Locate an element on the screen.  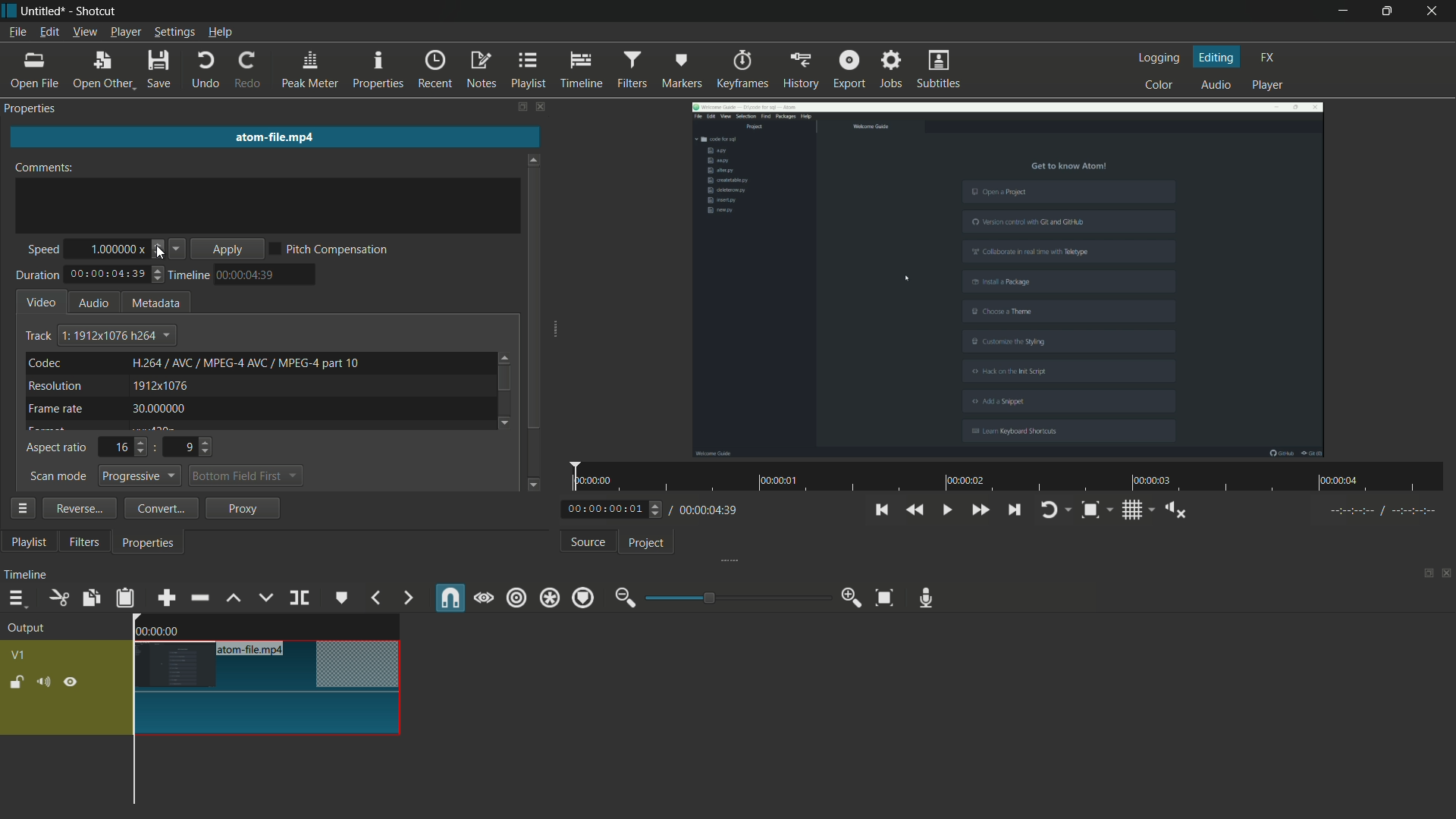
adjustment bar is located at coordinates (739, 597).